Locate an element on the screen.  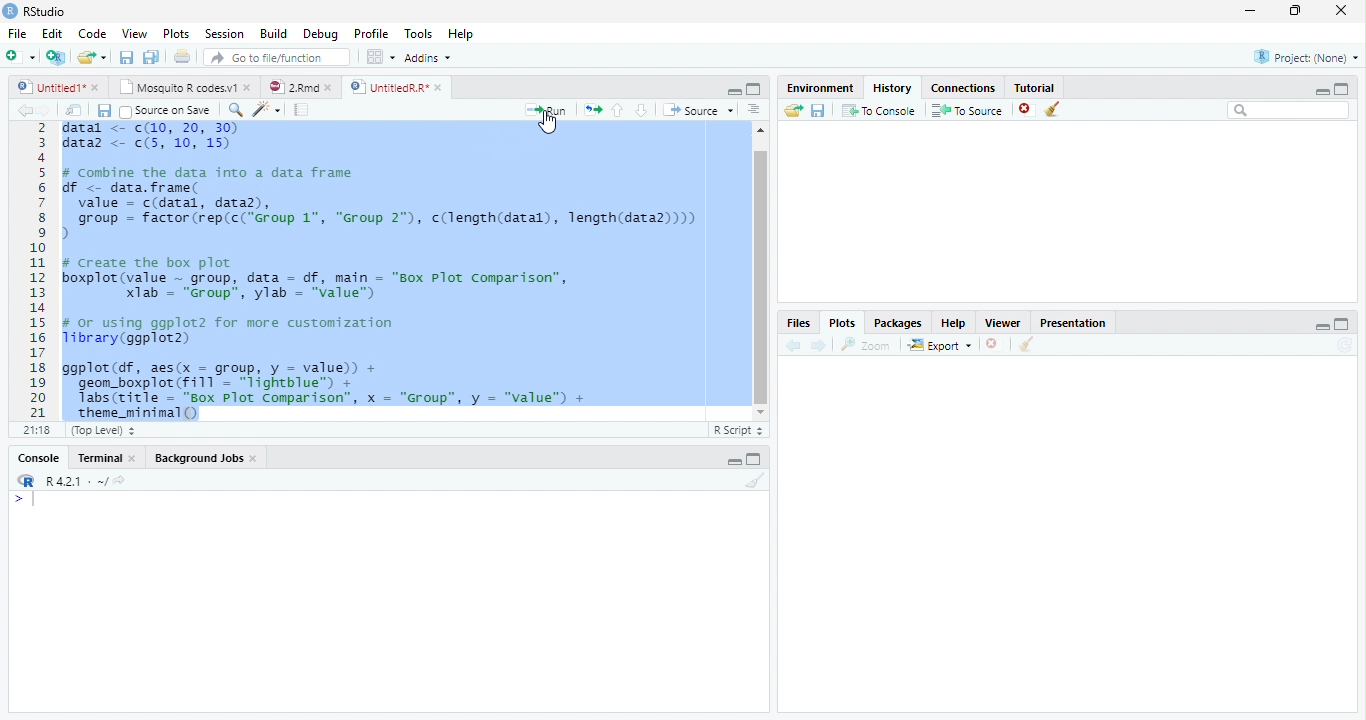
minimize is located at coordinates (1251, 10).